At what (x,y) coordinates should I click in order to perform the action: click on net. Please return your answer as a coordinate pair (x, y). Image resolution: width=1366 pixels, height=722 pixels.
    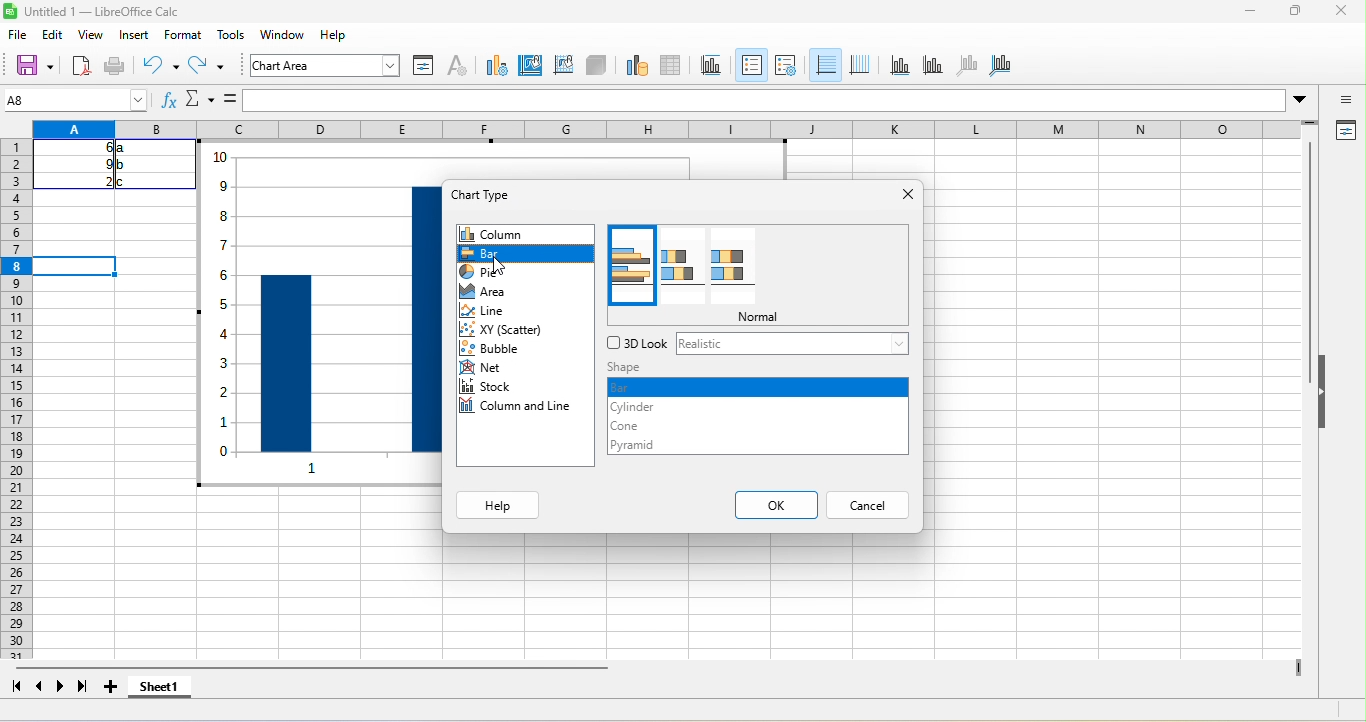
    Looking at the image, I should click on (494, 369).